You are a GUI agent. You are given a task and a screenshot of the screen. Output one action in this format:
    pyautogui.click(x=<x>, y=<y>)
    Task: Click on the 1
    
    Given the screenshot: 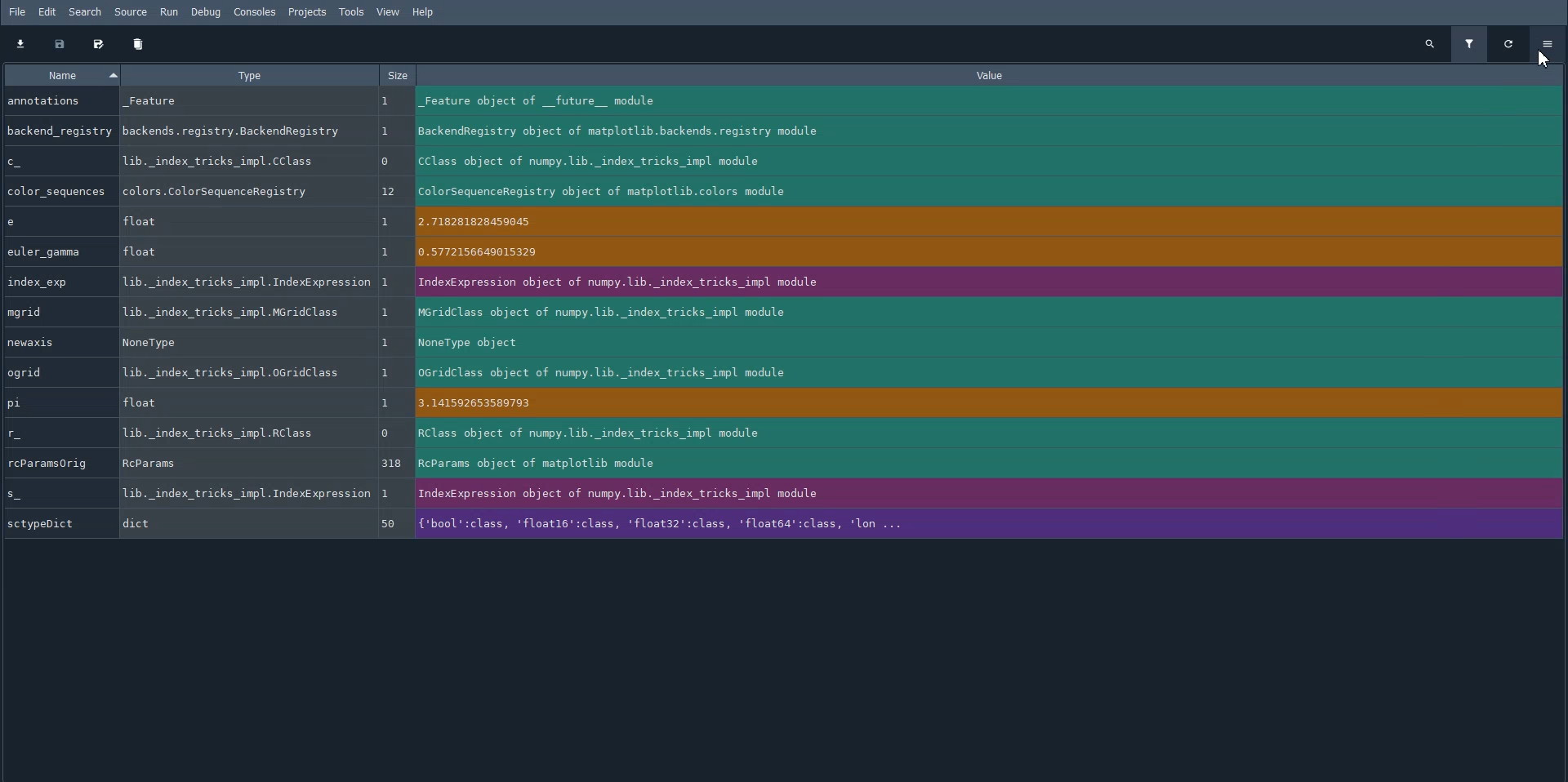 What is the action you would take?
    pyautogui.click(x=390, y=285)
    